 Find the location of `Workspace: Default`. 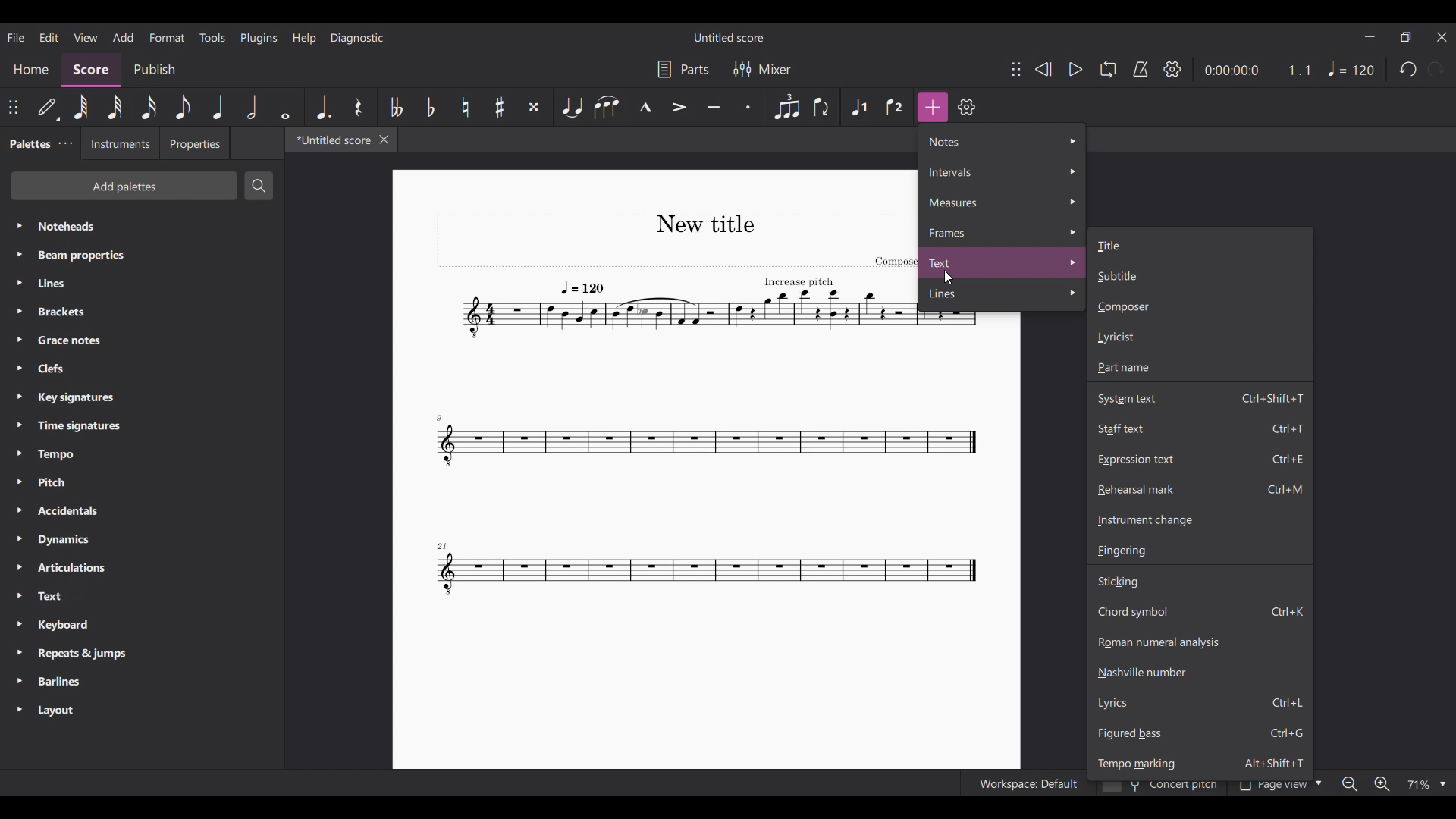

Workspace: Default is located at coordinates (1024, 783).